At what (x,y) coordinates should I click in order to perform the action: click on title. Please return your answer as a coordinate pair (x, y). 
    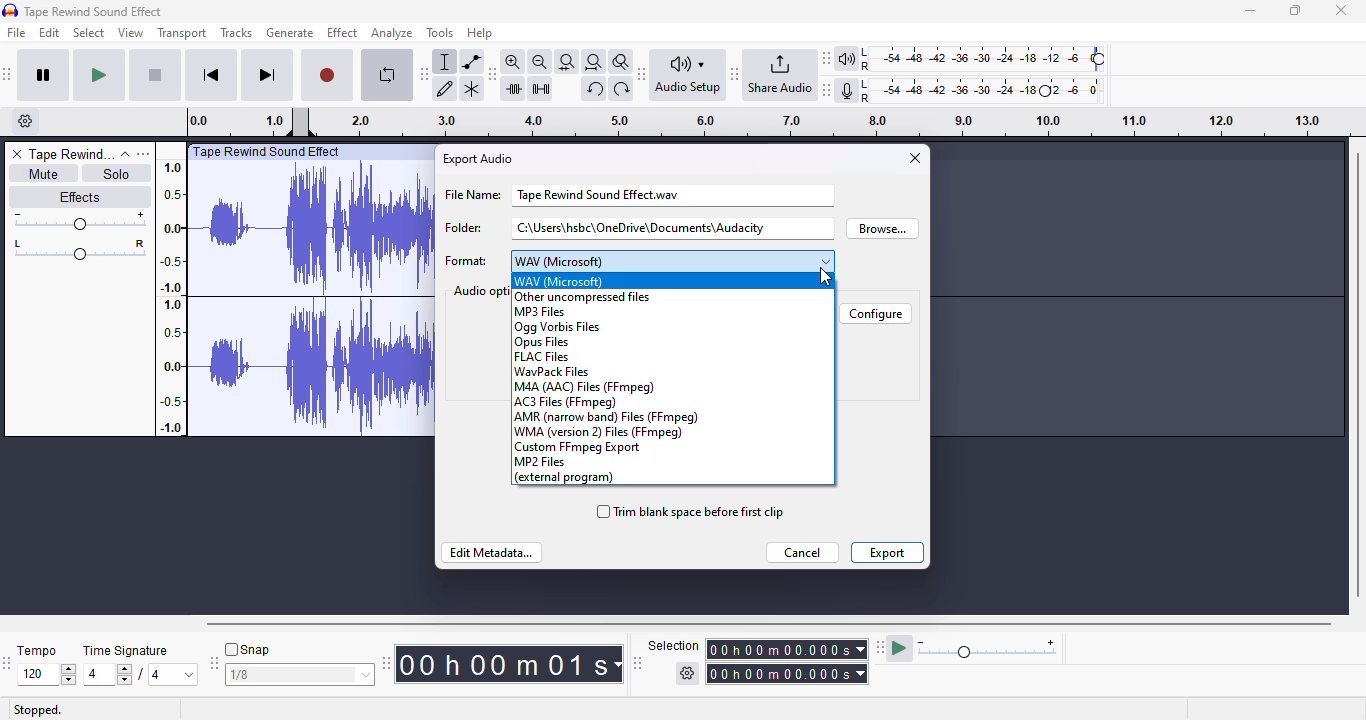
    Looking at the image, I should click on (93, 11).